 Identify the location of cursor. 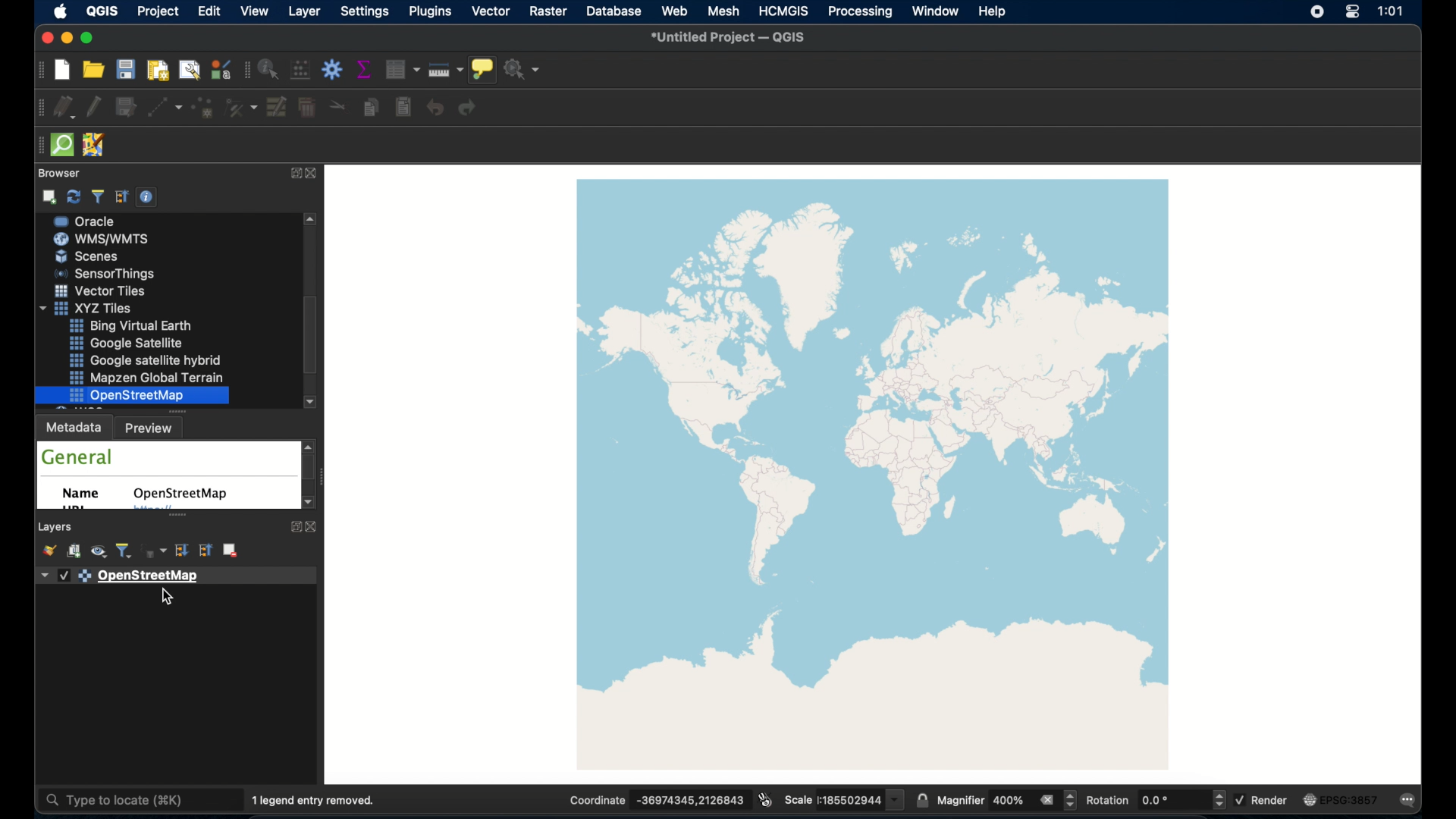
(166, 599).